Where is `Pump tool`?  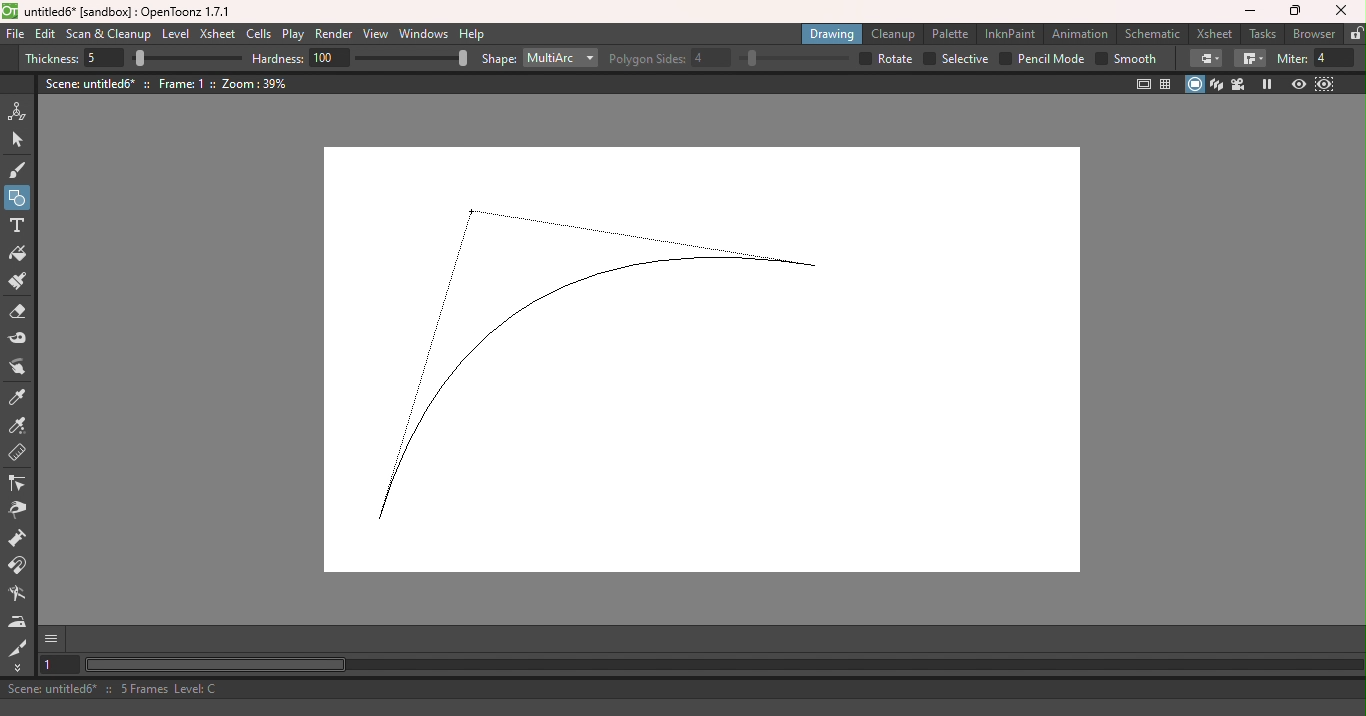 Pump tool is located at coordinates (20, 539).